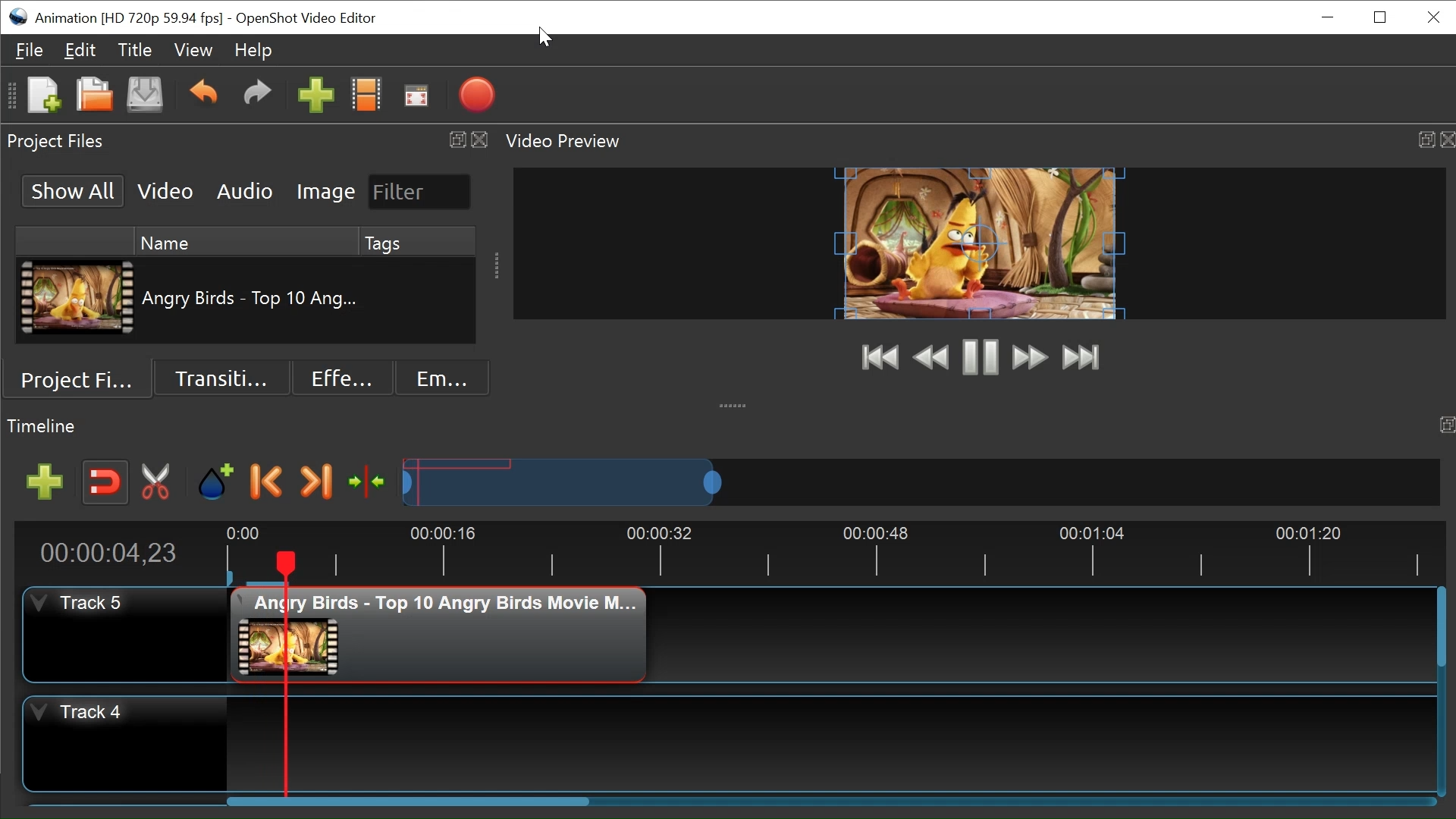  Describe the element at coordinates (267, 482) in the screenshot. I see `Previous Marker` at that location.